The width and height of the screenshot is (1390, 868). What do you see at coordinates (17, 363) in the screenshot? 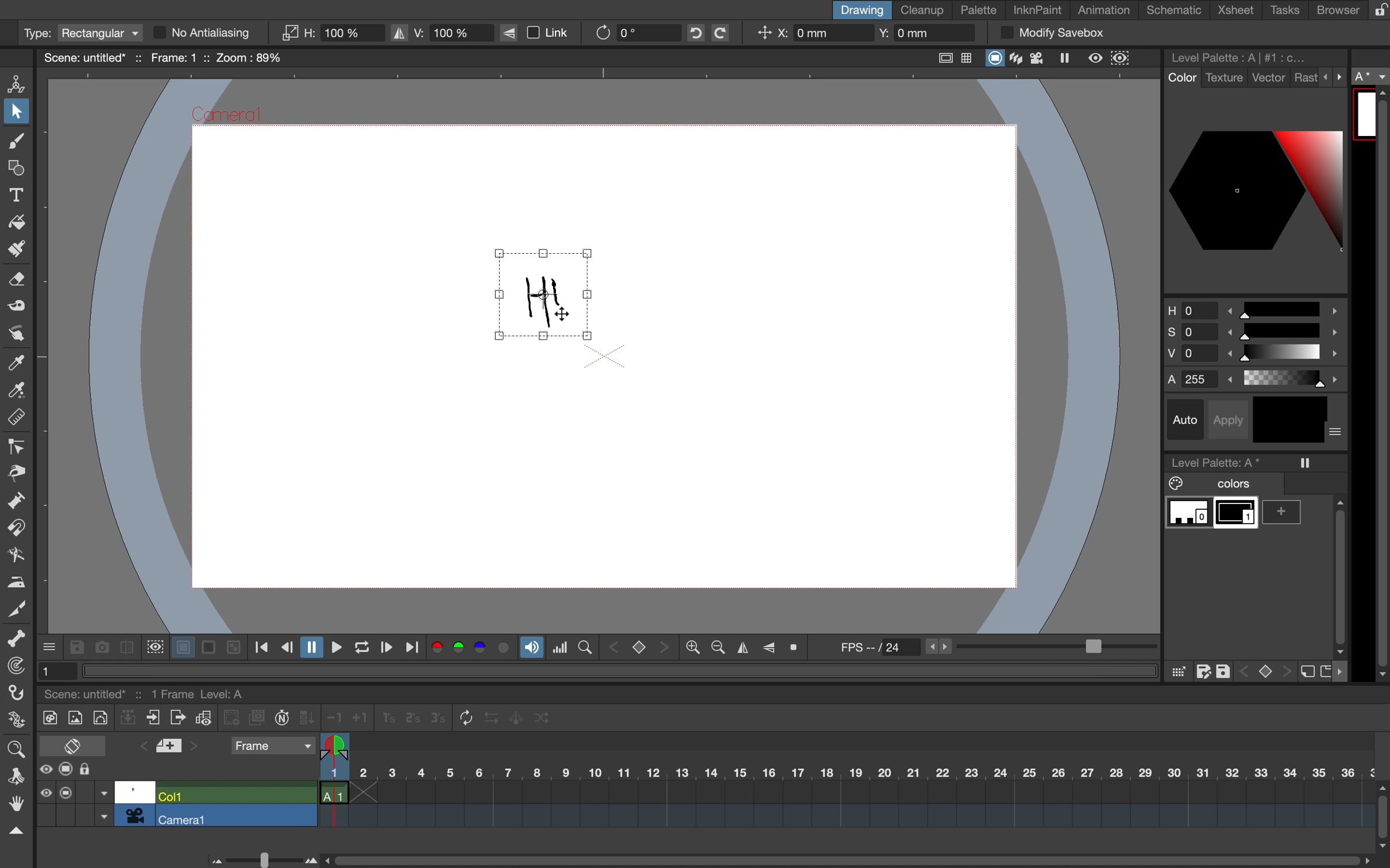
I see `style picker tool` at bounding box center [17, 363].